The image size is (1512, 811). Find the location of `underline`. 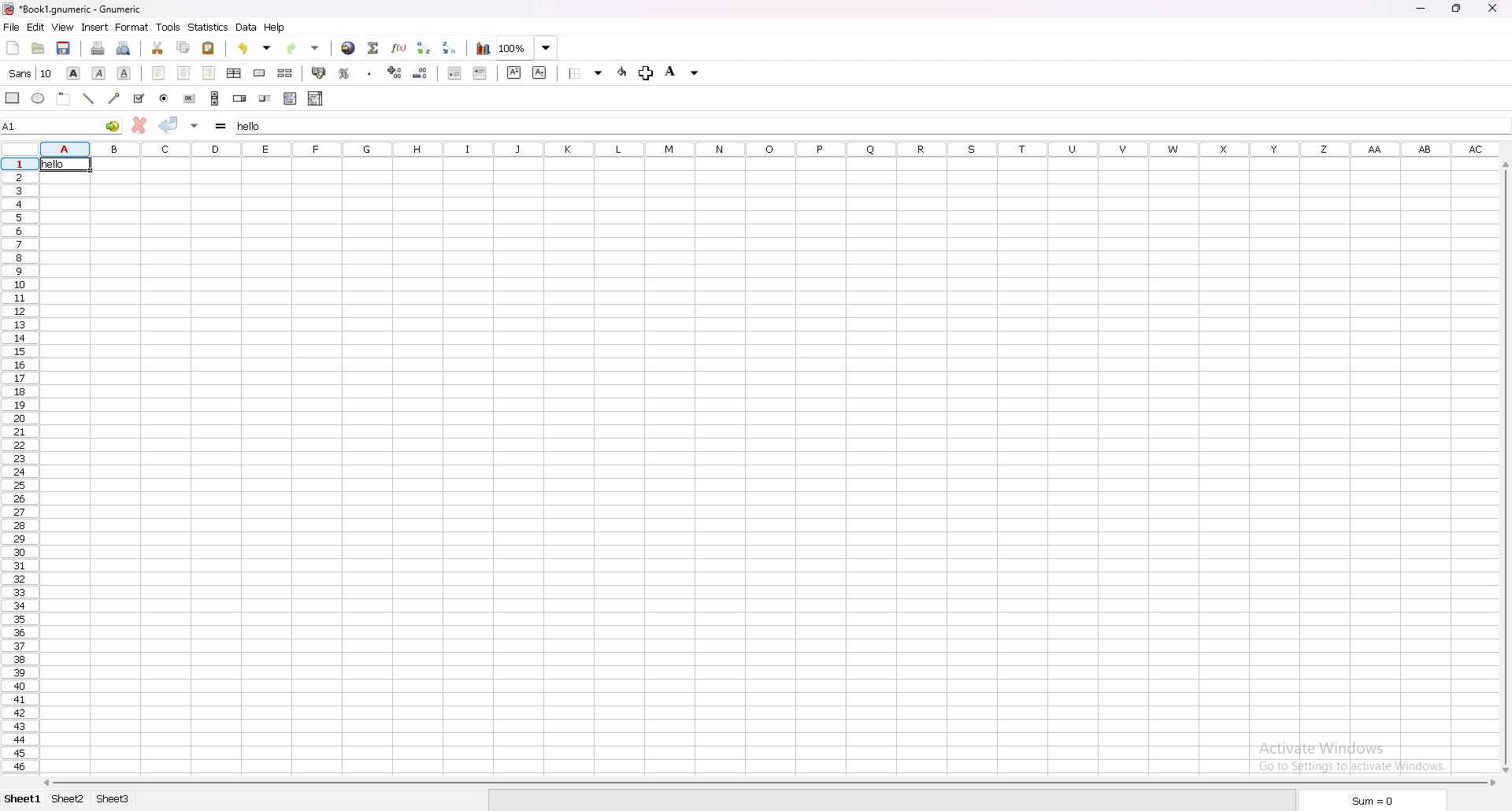

underline is located at coordinates (124, 73).